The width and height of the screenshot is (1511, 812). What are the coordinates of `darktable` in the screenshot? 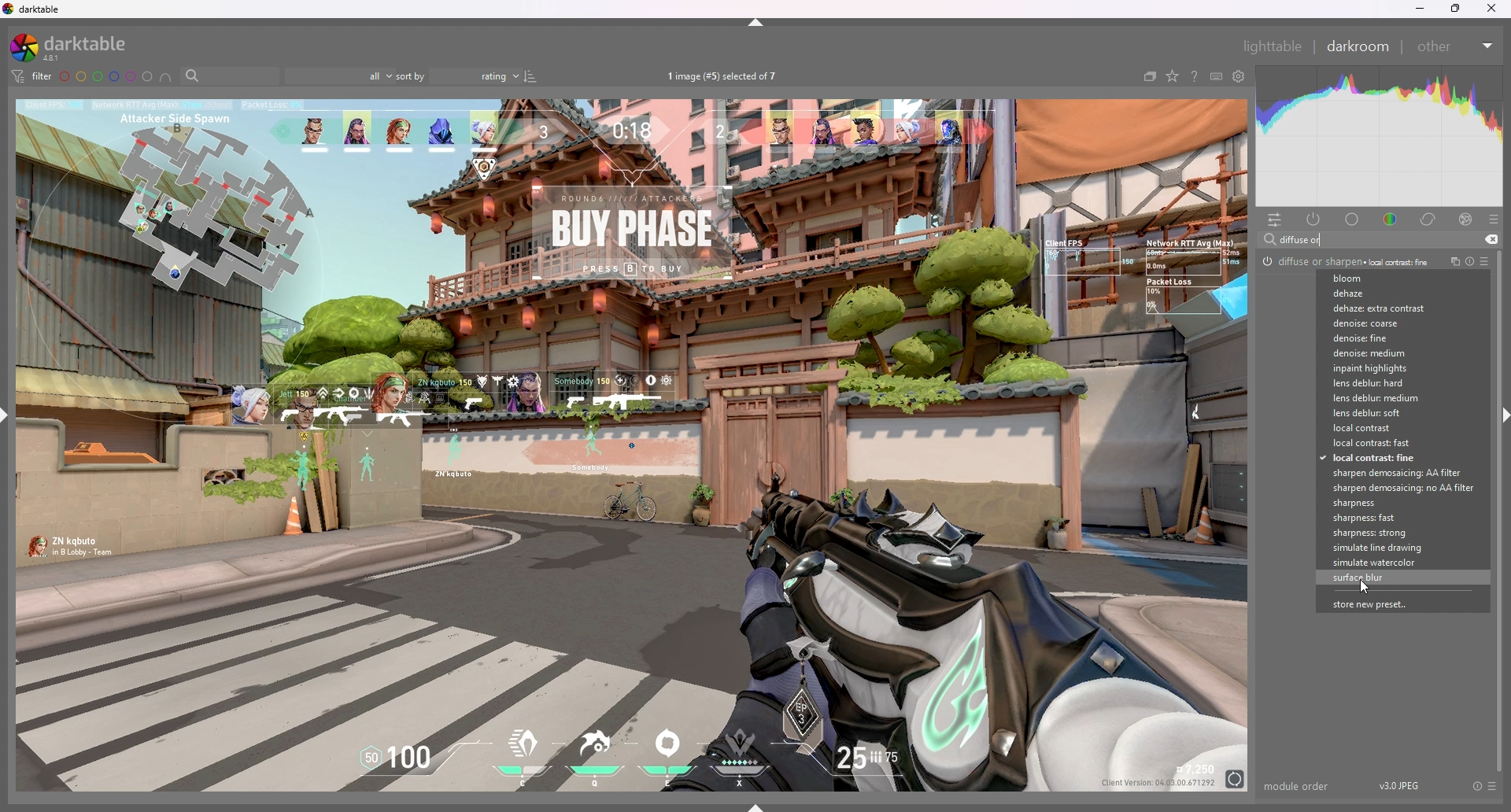 It's located at (73, 47).